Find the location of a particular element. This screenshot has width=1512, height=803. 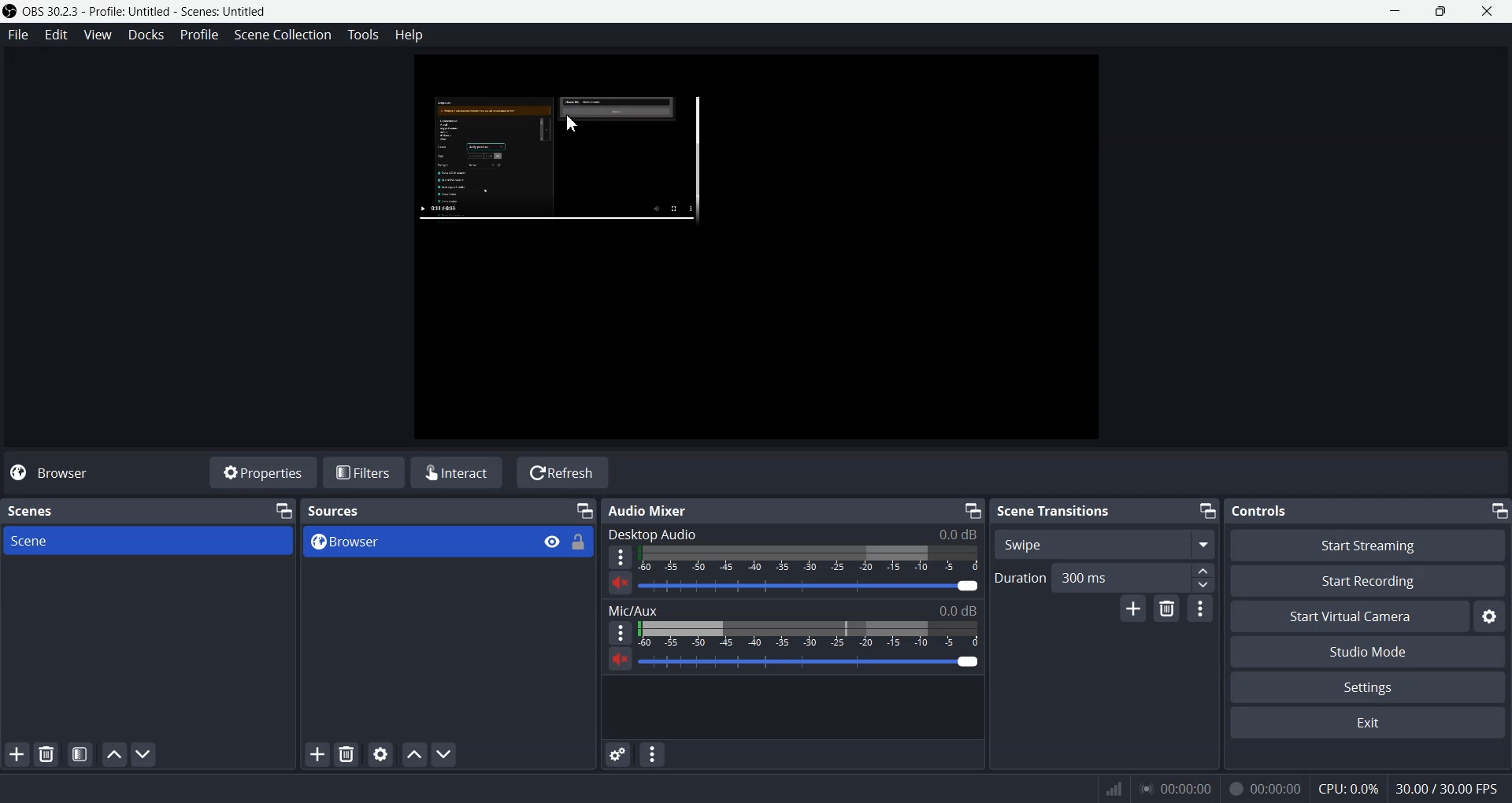

Desktop Audio is located at coordinates (791, 535).